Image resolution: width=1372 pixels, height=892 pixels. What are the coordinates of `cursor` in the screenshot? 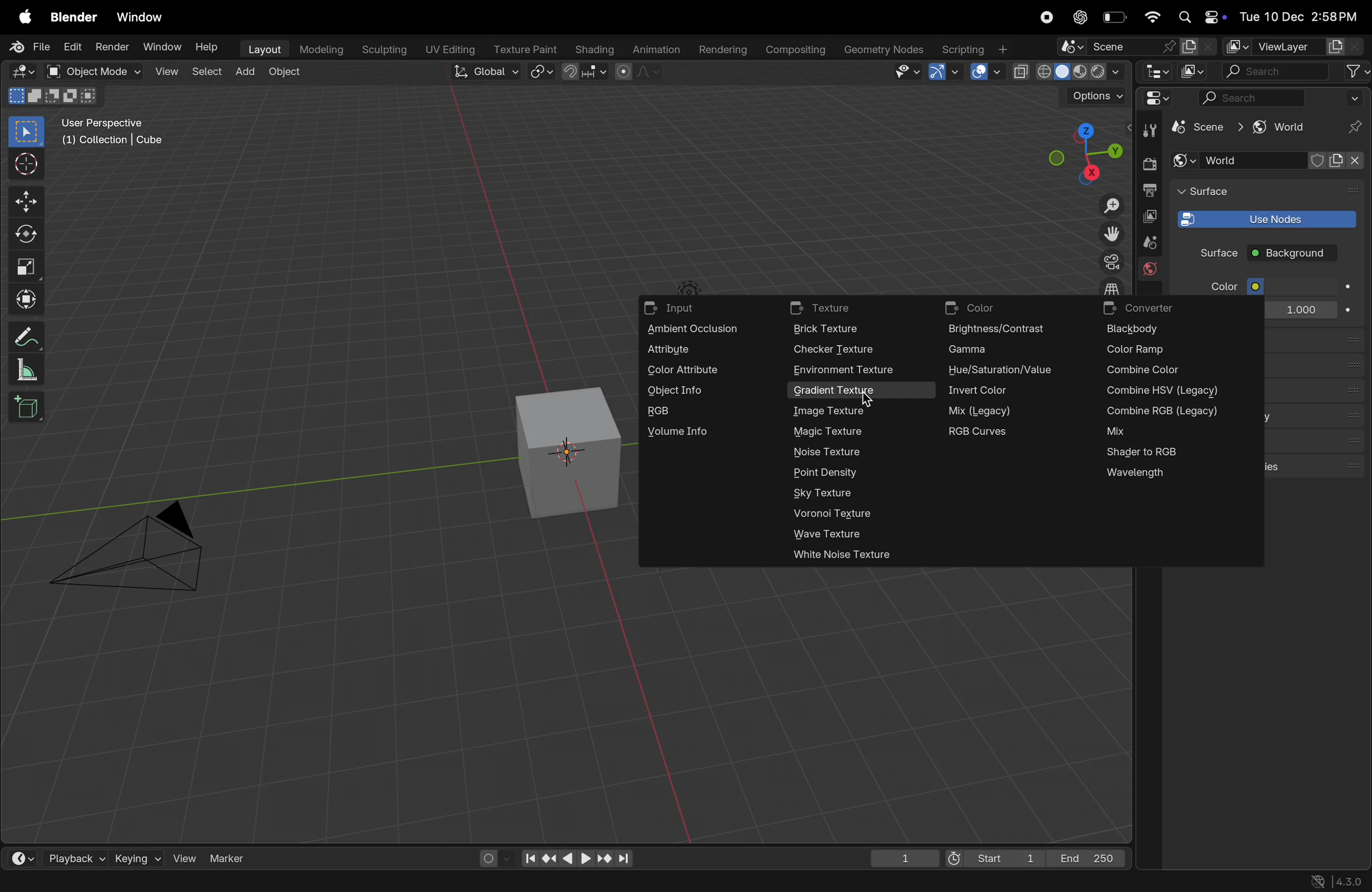 It's located at (27, 163).